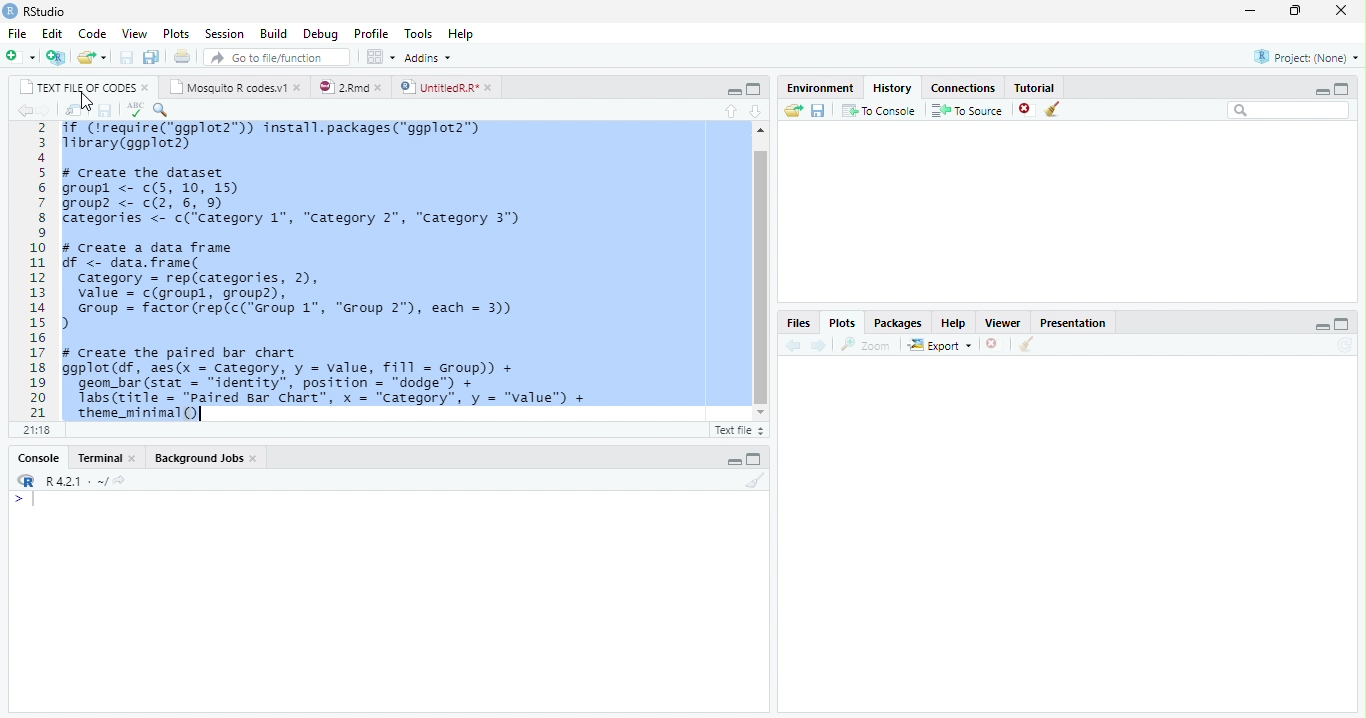  What do you see at coordinates (54, 56) in the screenshot?
I see `create a project` at bounding box center [54, 56].